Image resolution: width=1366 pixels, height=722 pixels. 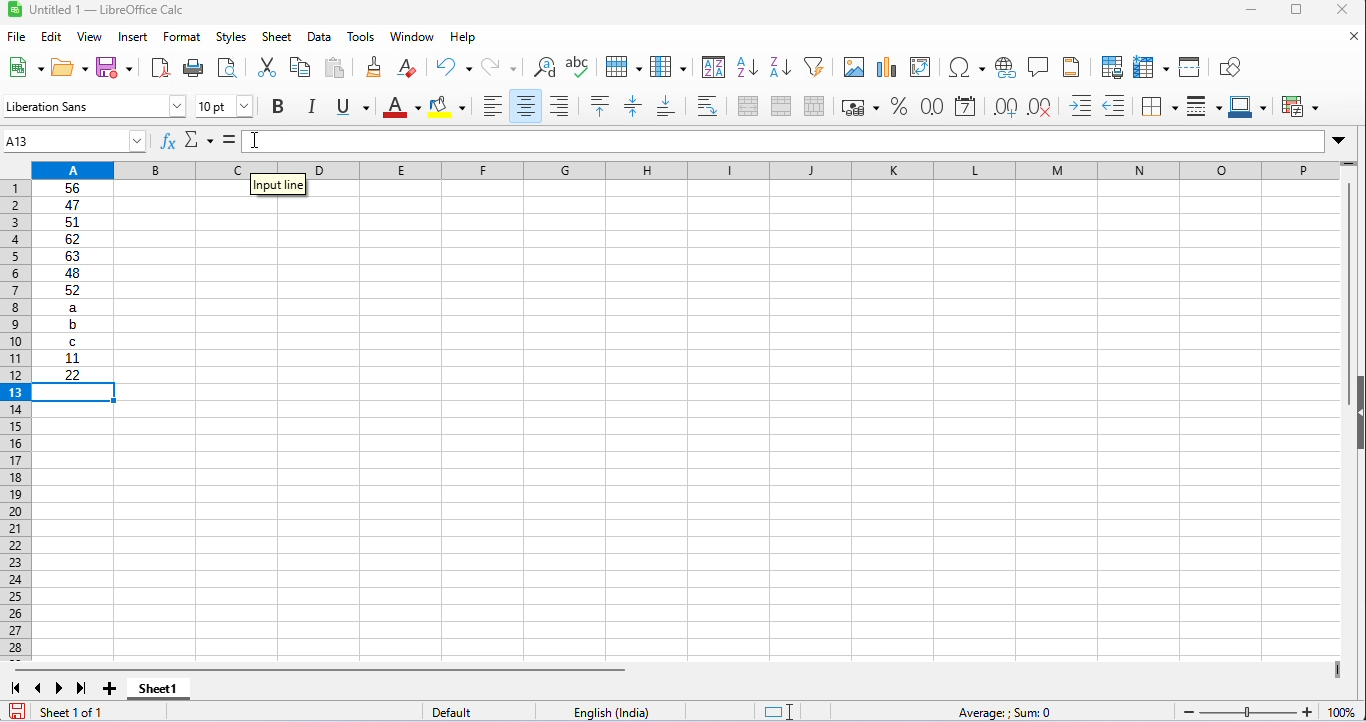 I want to click on first sheet, so click(x=16, y=688).